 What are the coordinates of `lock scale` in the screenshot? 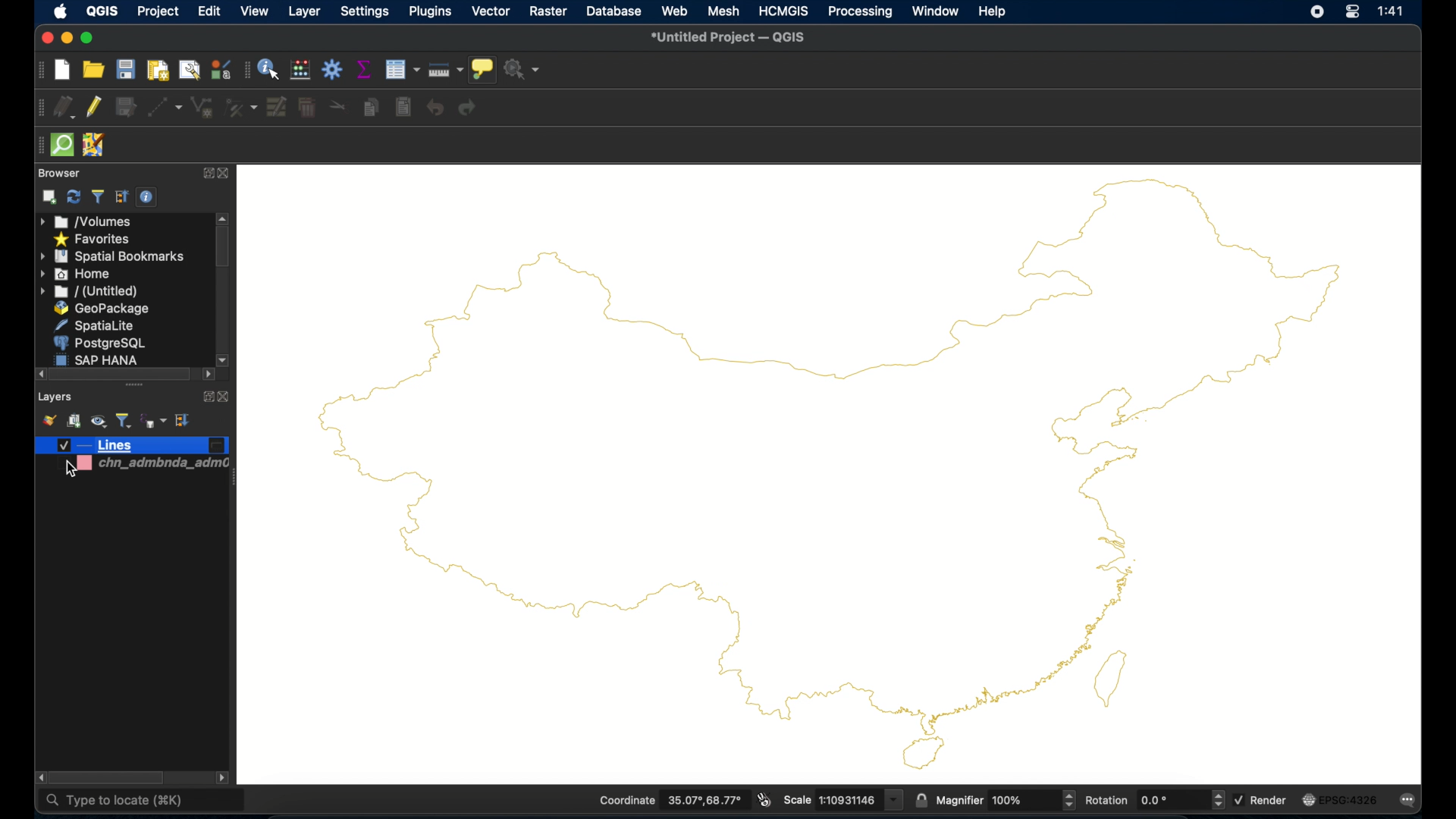 It's located at (920, 799).